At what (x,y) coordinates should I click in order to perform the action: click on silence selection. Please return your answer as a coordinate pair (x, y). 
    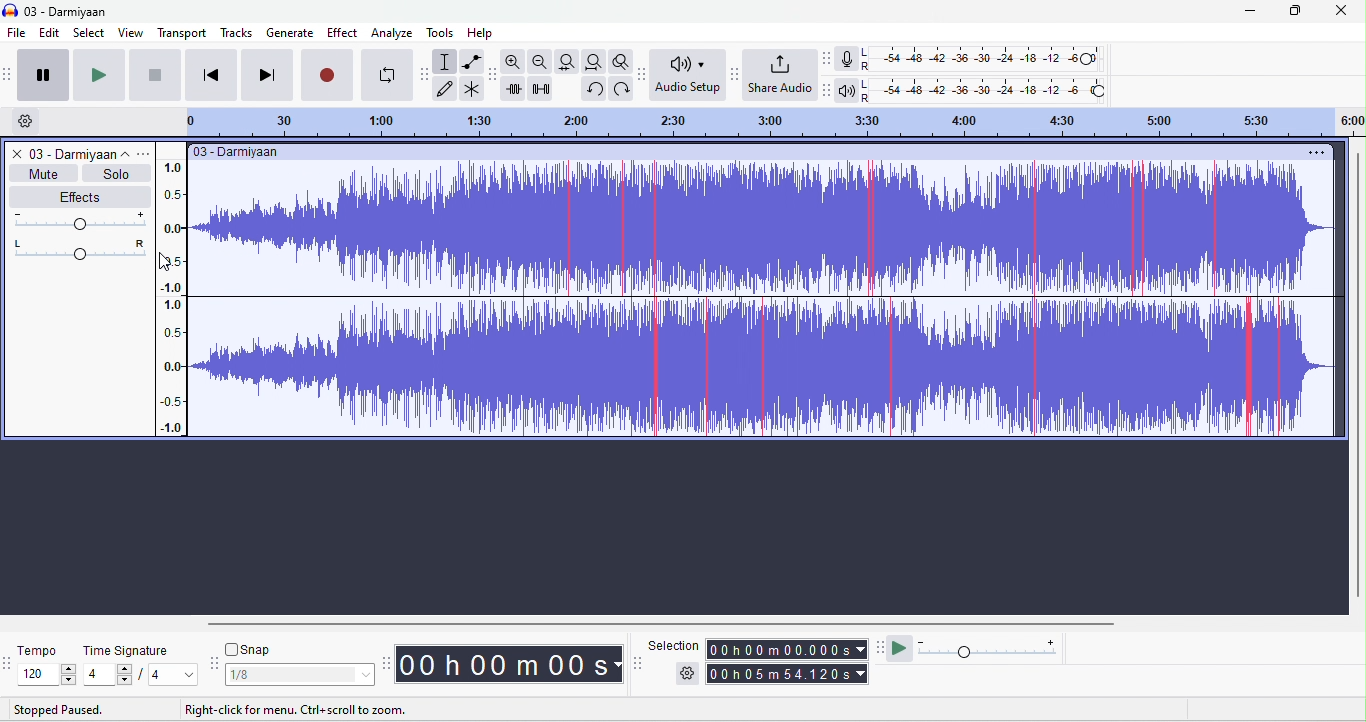
    Looking at the image, I should click on (544, 90).